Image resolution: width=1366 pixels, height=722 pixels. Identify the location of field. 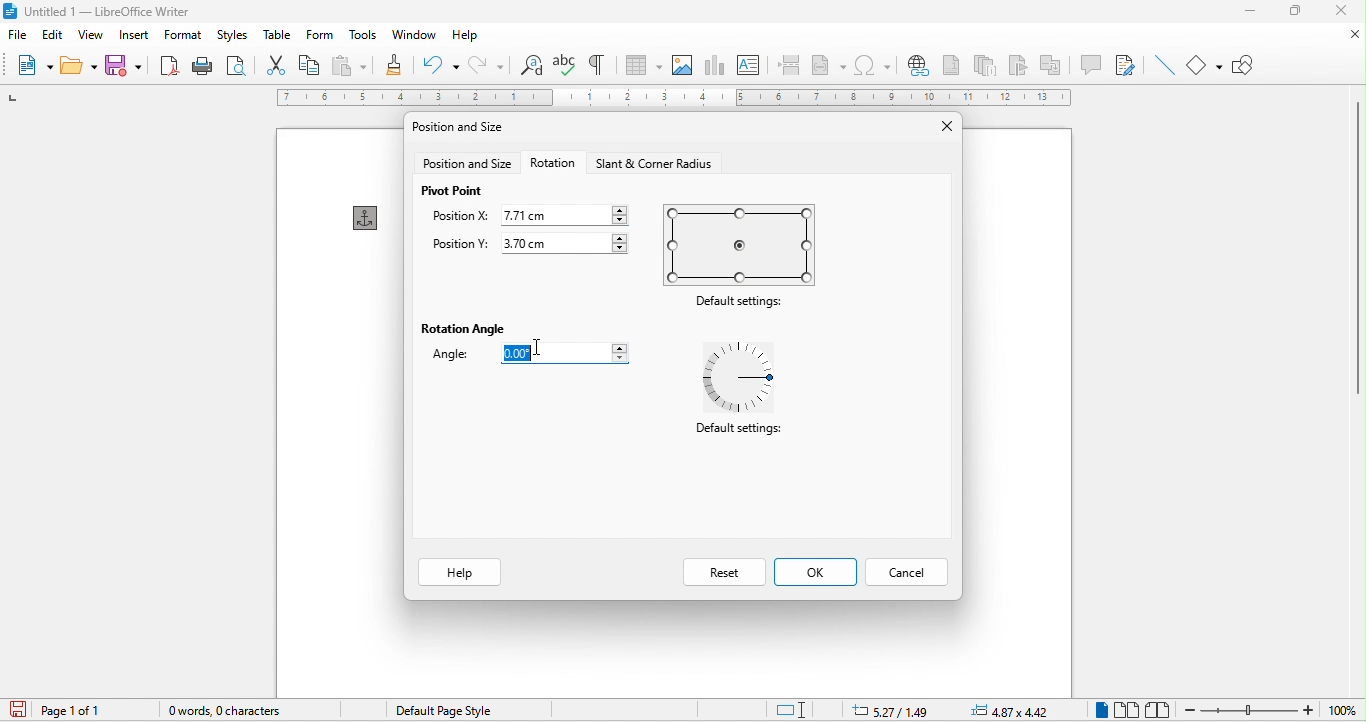
(829, 63).